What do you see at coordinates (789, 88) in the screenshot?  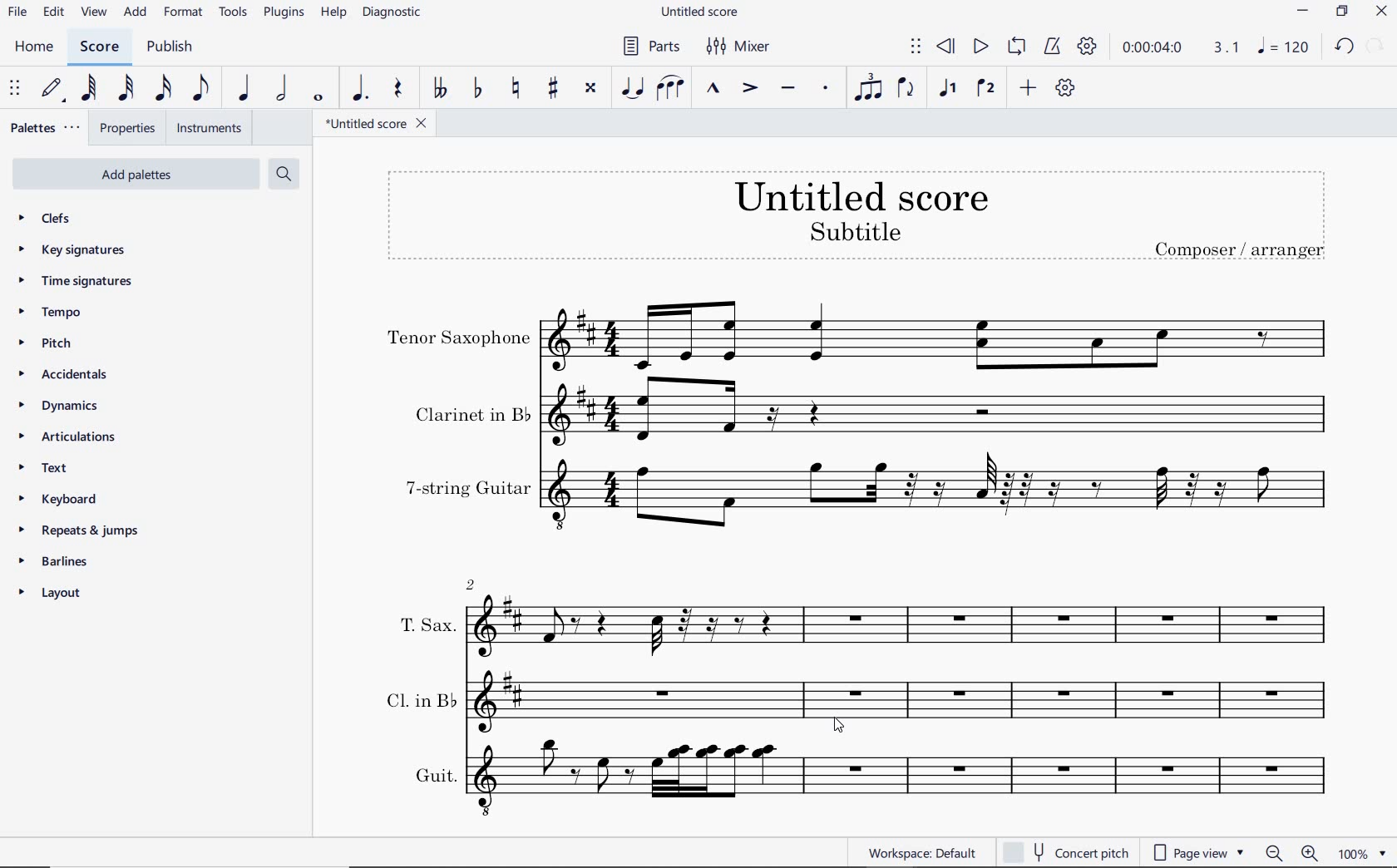 I see `TENUTO` at bounding box center [789, 88].